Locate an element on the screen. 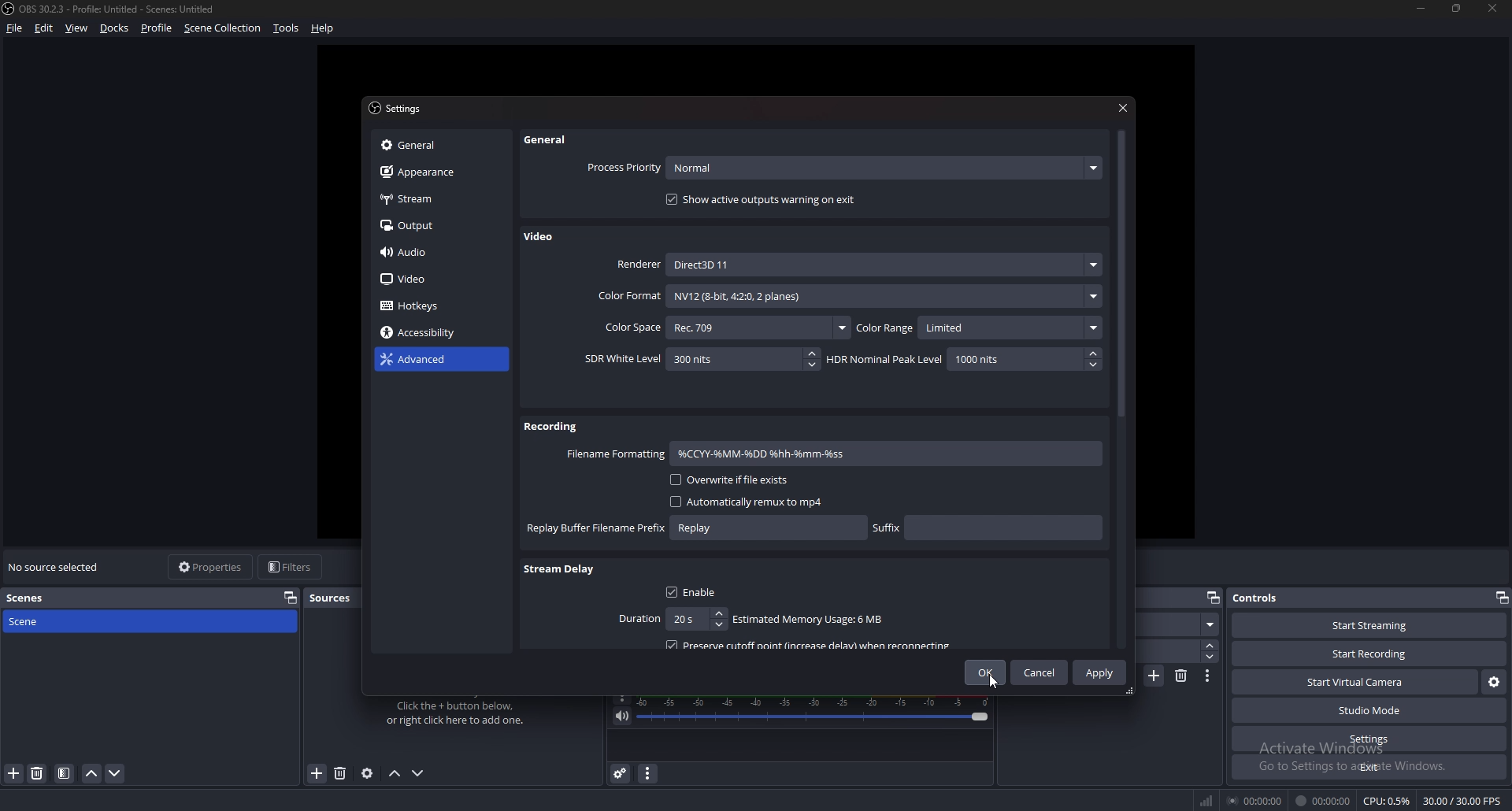  Accessibility is located at coordinates (427, 333).